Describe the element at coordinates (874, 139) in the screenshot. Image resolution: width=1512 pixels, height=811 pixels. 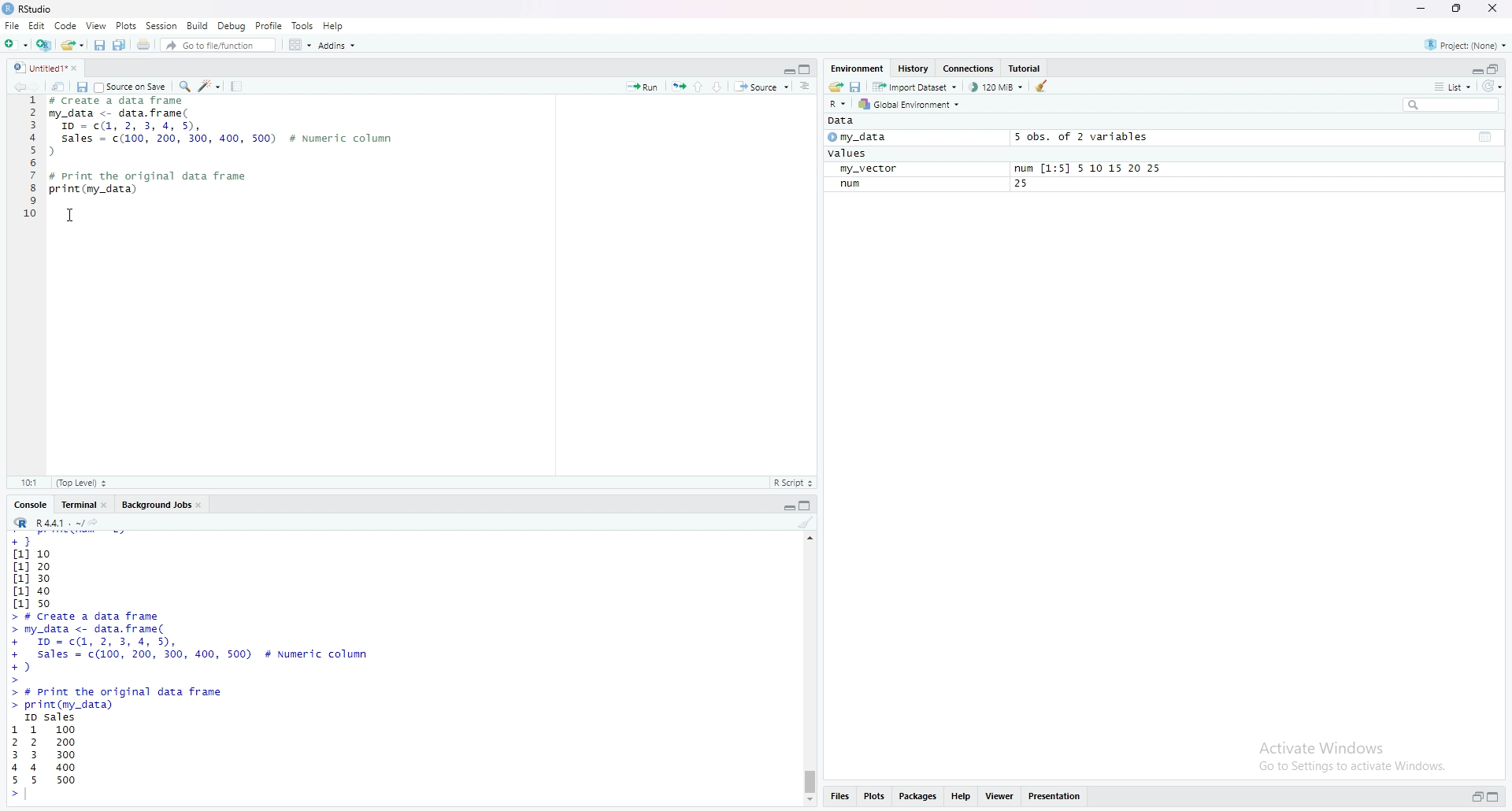
I see `my_data` at that location.